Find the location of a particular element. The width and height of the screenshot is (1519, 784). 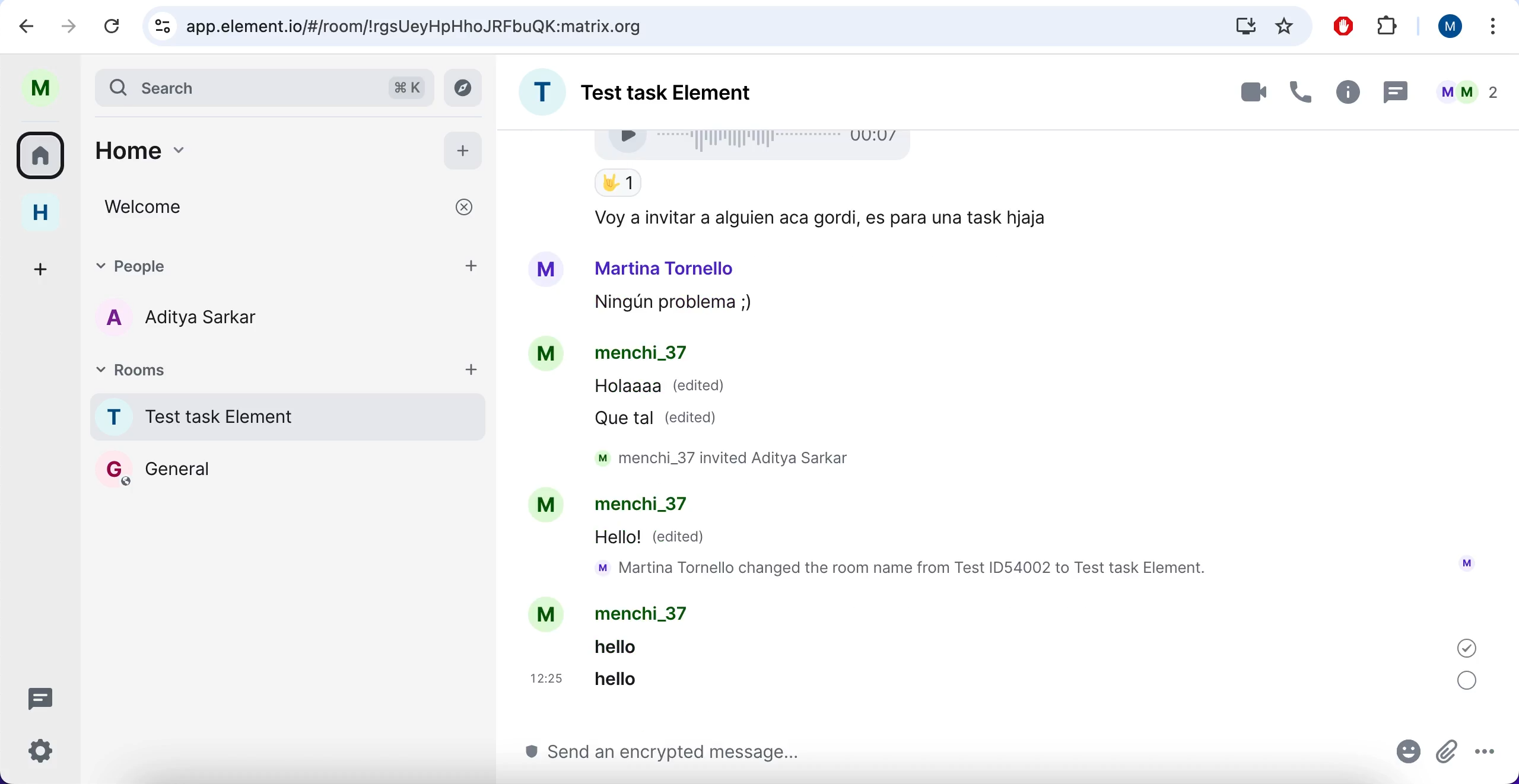

Thumbs up Emoji is located at coordinates (615, 181).